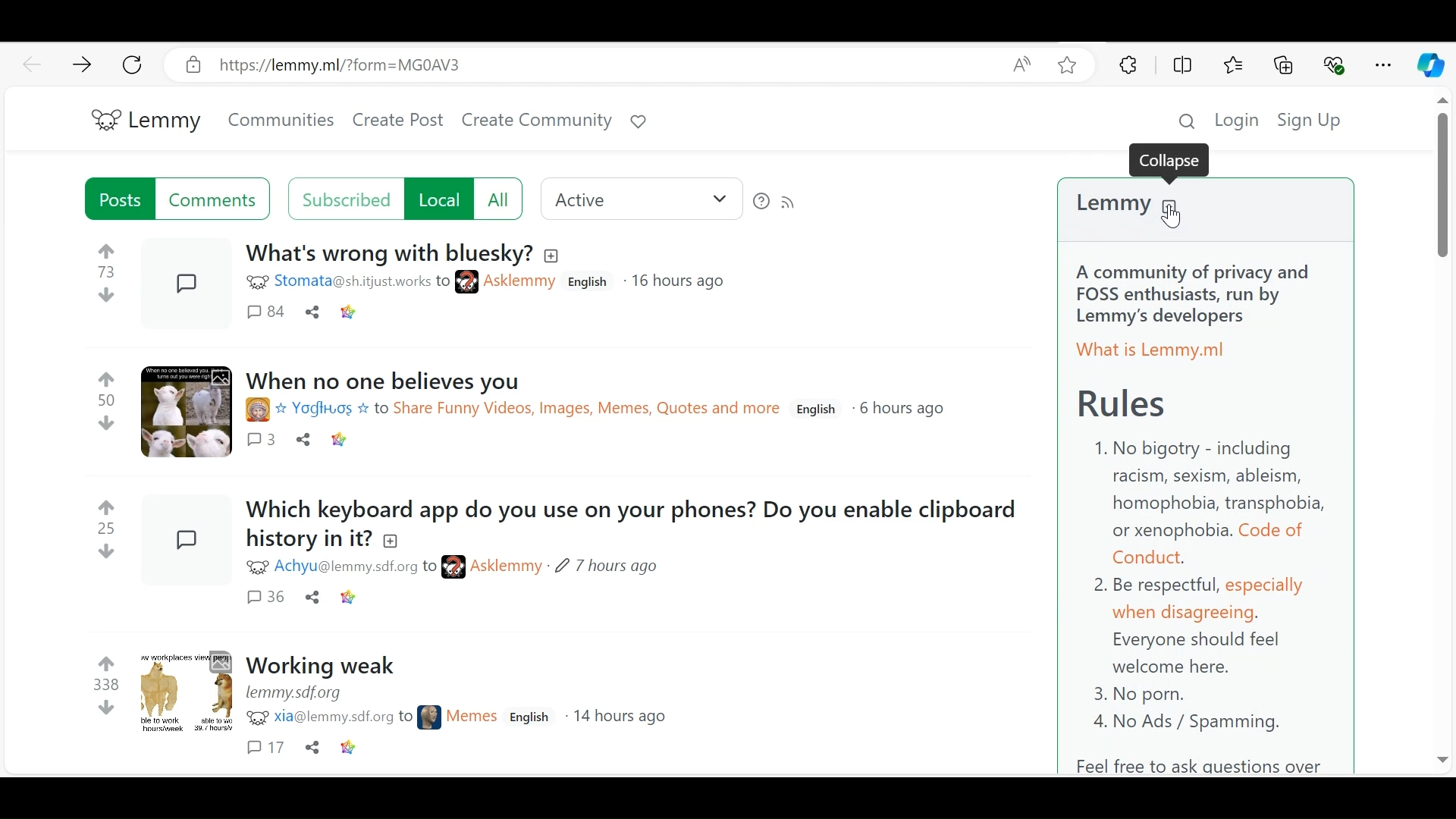 This screenshot has width=1456, height=819. I want to click on Time posted, so click(902, 409).